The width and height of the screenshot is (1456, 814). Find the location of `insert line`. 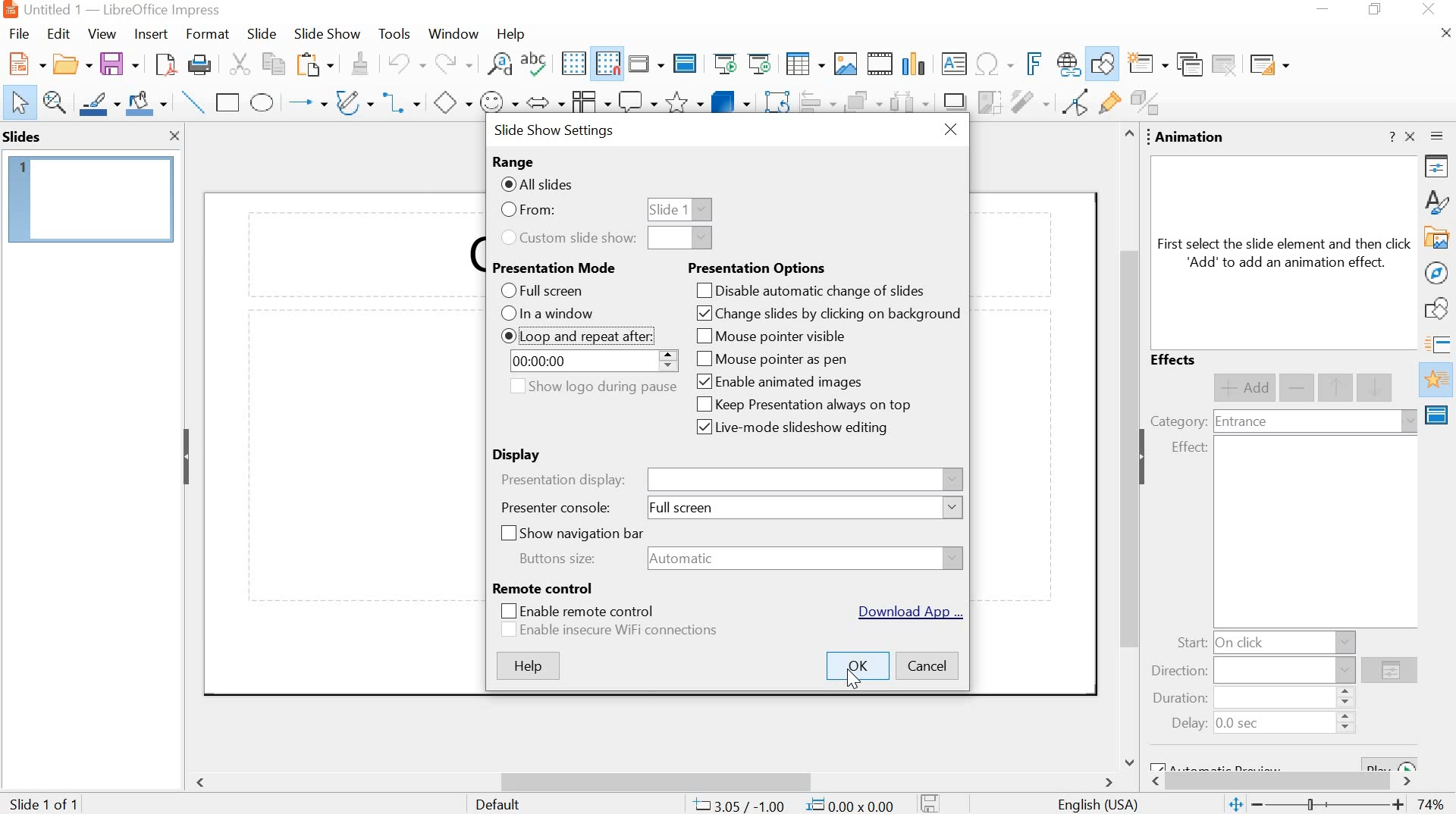

insert line is located at coordinates (193, 102).